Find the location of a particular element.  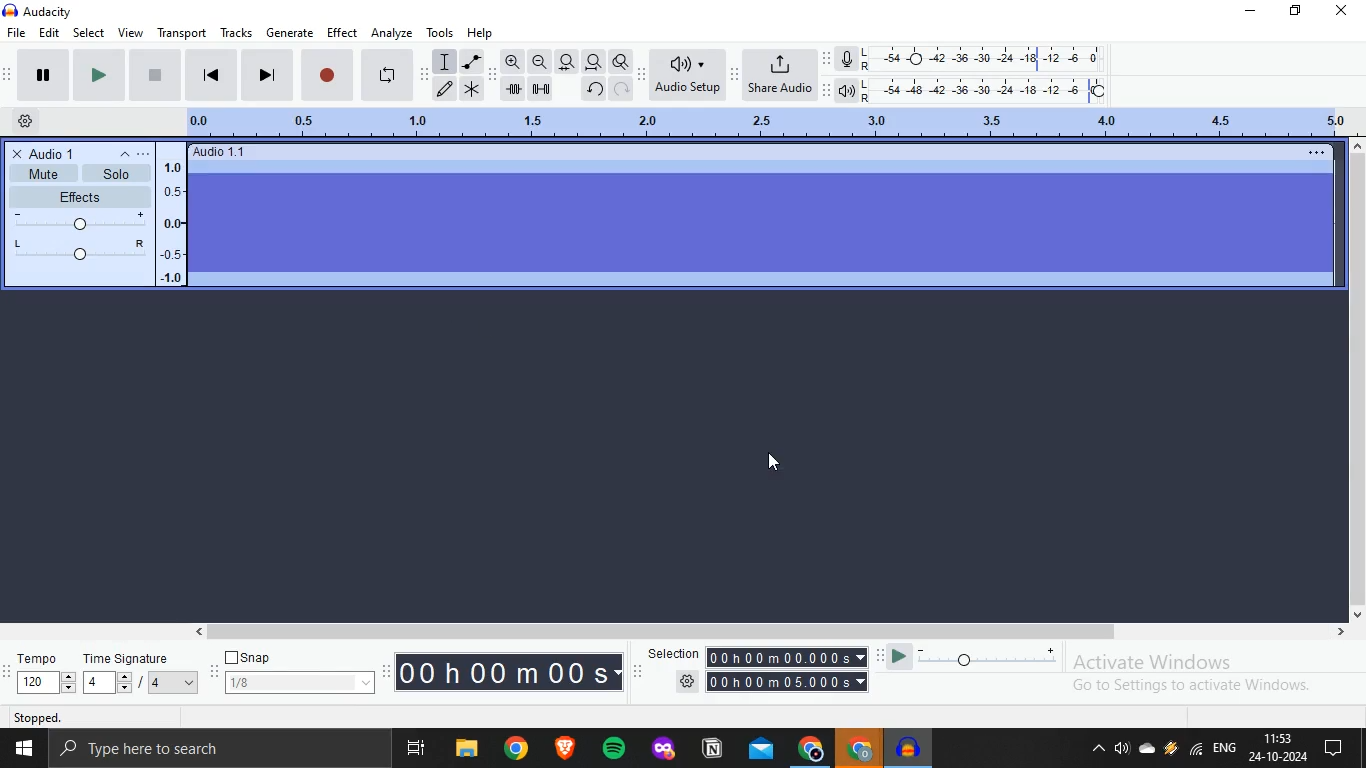

Refresh is located at coordinates (622, 91).